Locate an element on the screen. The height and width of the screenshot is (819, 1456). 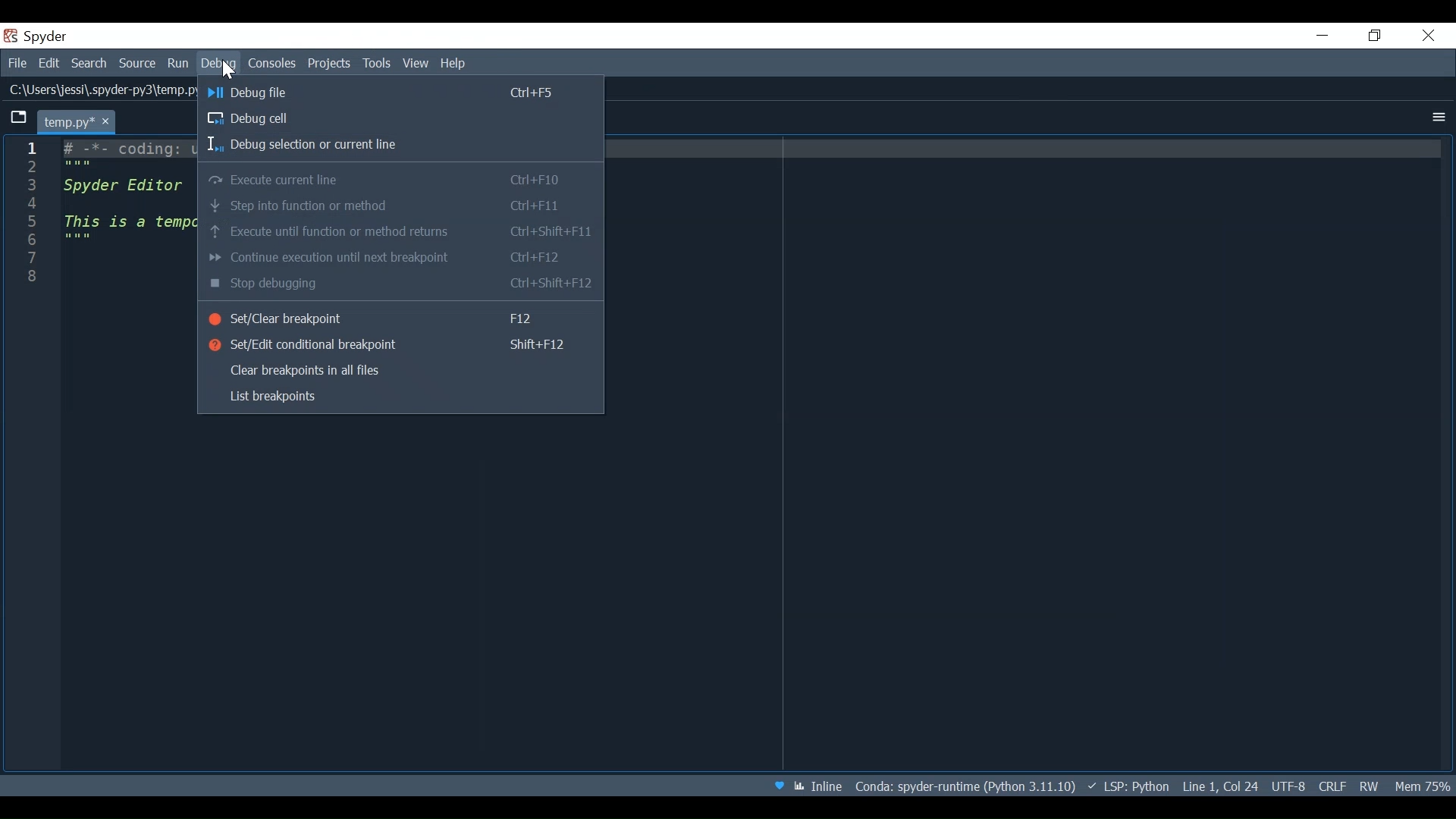
Help Spyder is located at coordinates (779, 785).